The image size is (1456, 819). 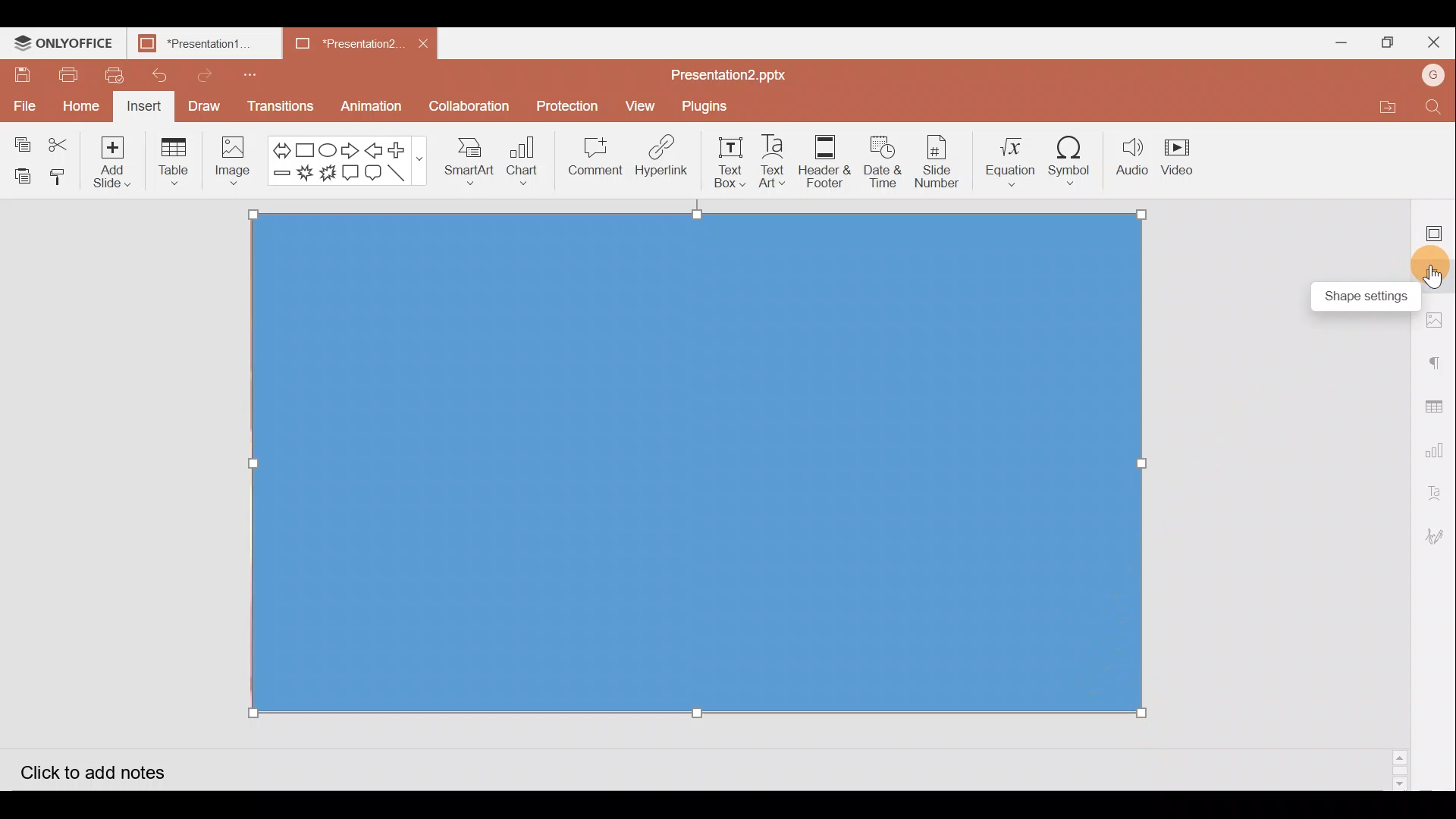 I want to click on Minimize, so click(x=1341, y=42).